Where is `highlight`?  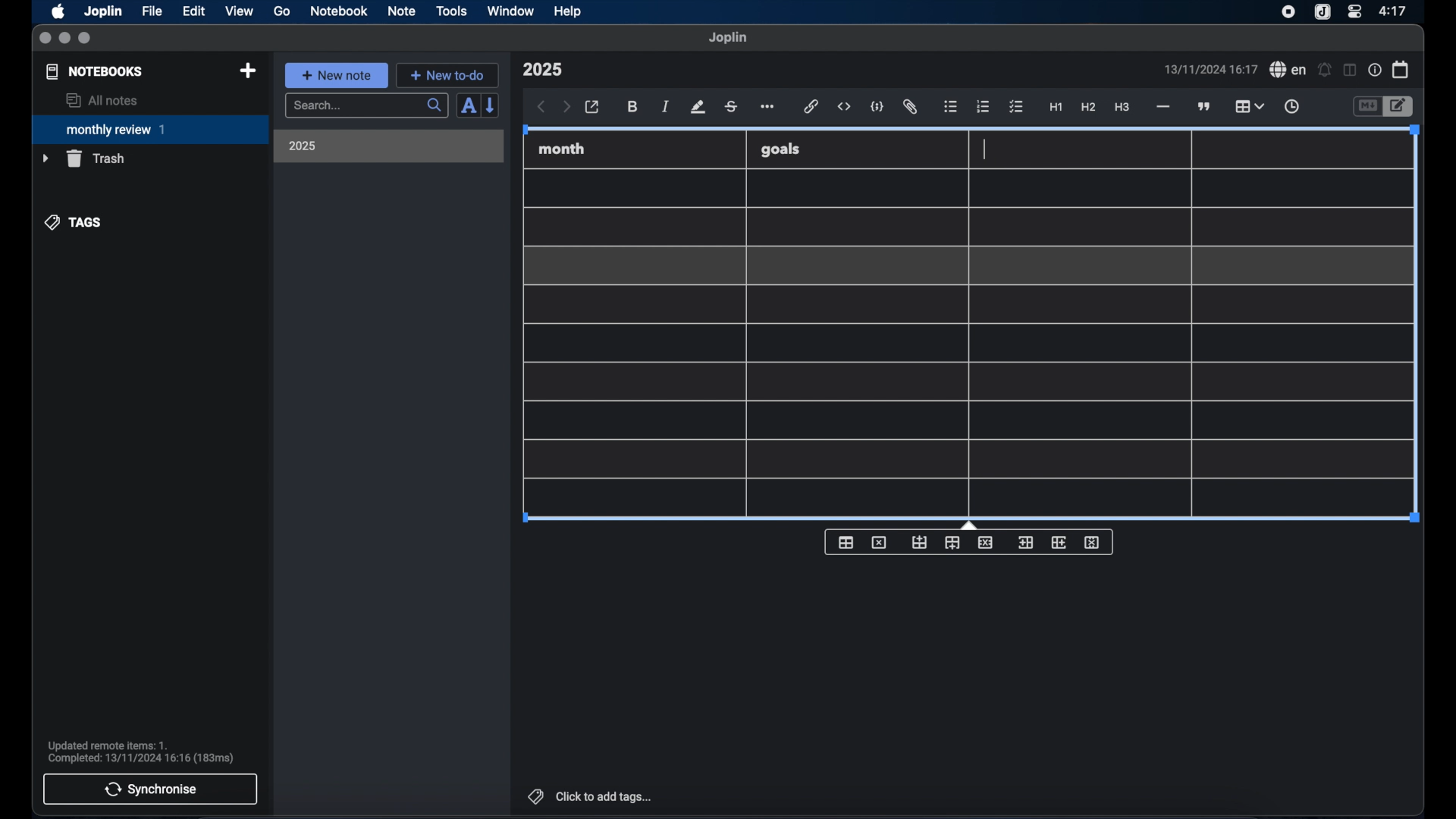
highlight is located at coordinates (698, 107).